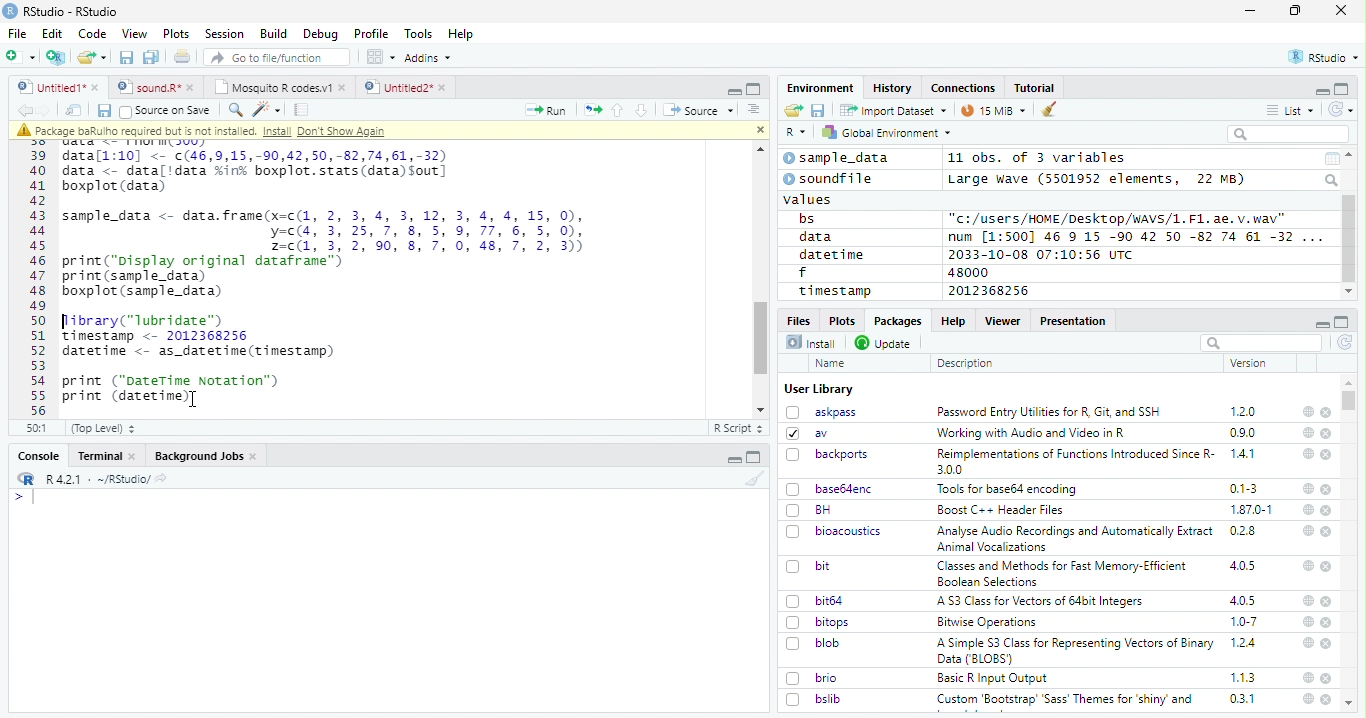 The height and width of the screenshot is (718, 1366). Describe the element at coordinates (71, 11) in the screenshot. I see `RStudio - RStudio` at that location.